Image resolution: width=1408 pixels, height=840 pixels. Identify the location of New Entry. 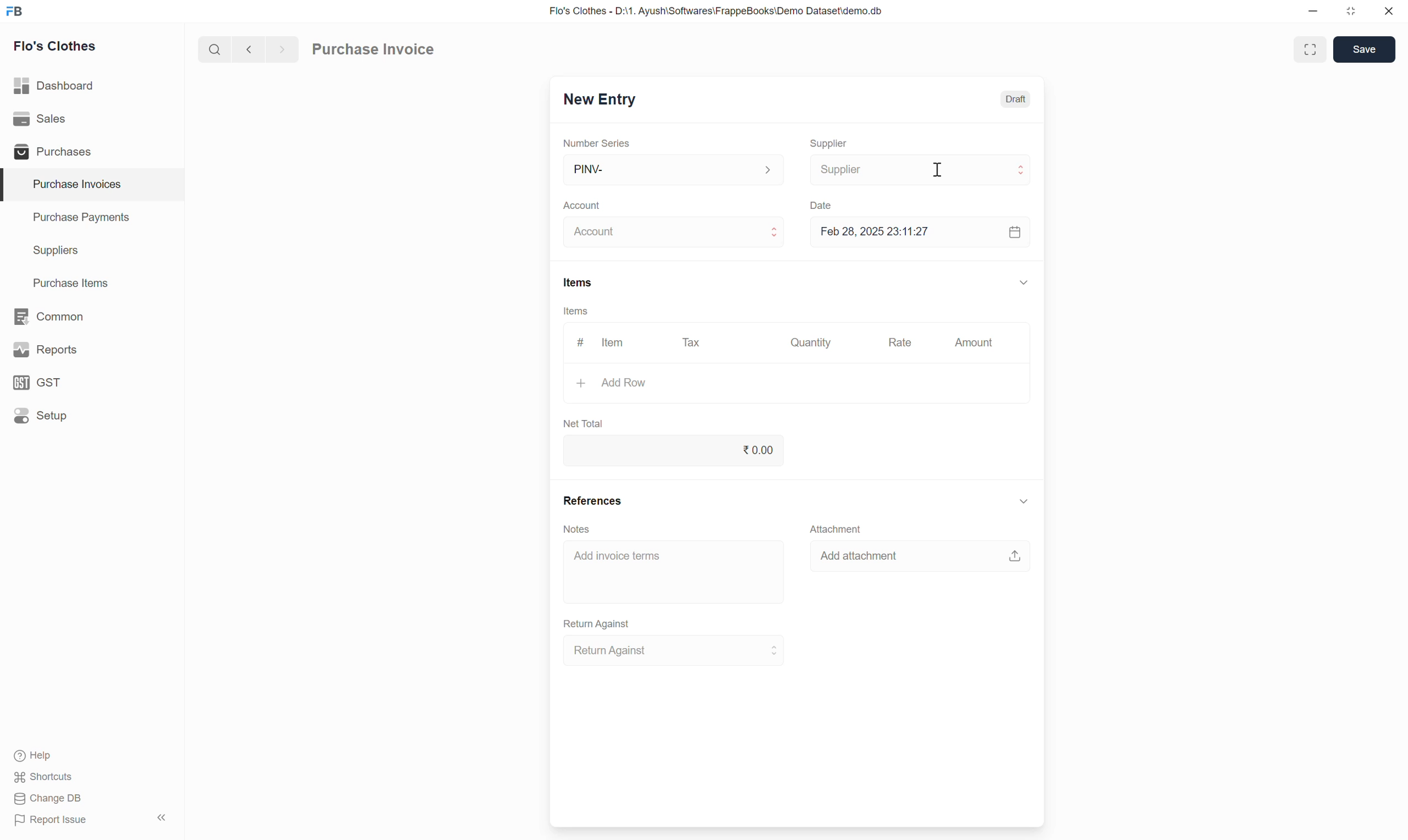
(600, 100).